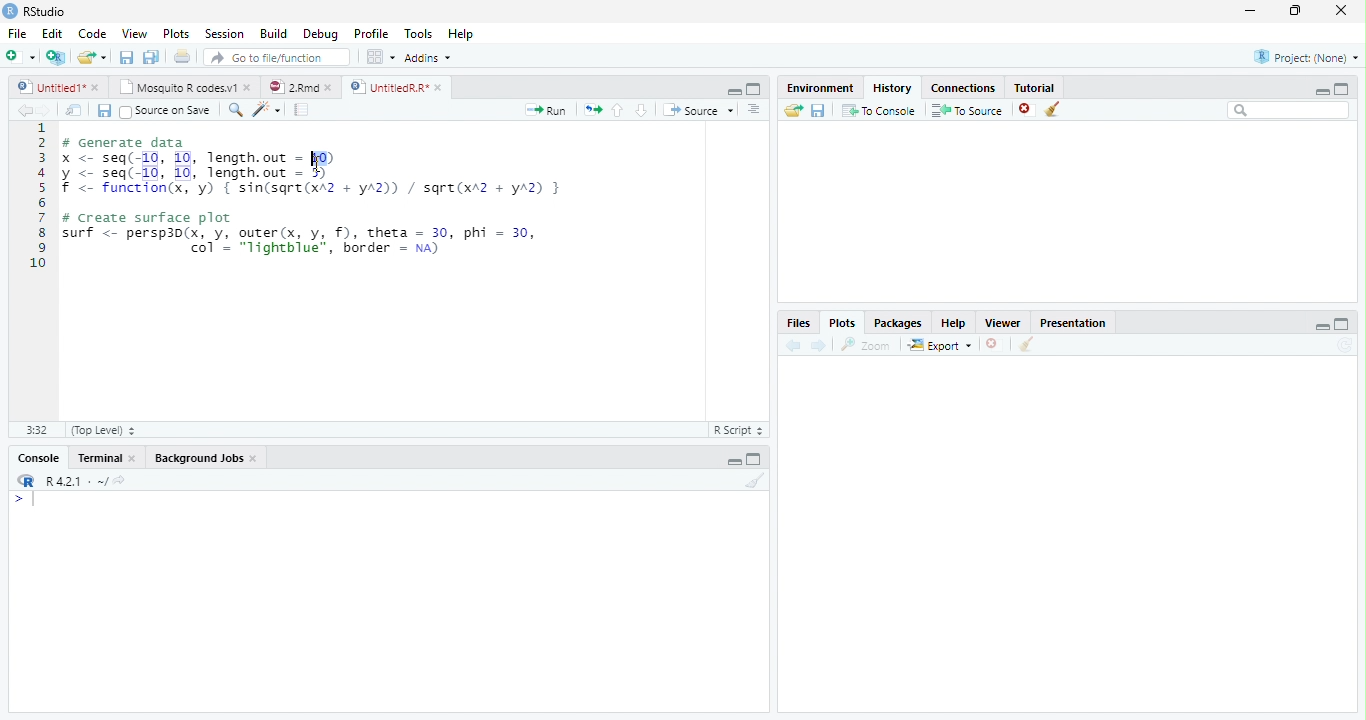 The image size is (1366, 720). What do you see at coordinates (267, 109) in the screenshot?
I see `Code tools` at bounding box center [267, 109].